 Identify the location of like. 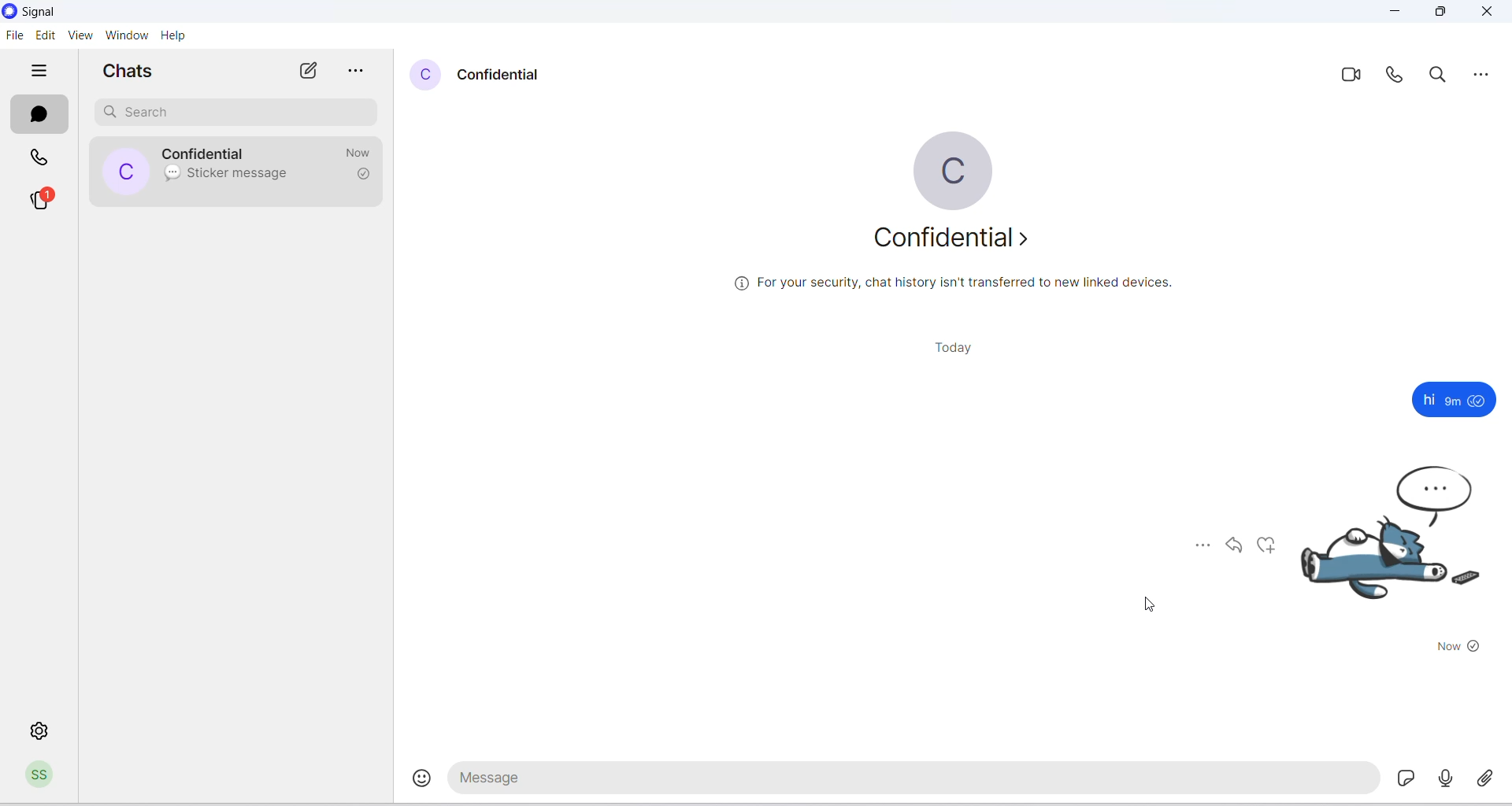
(1270, 546).